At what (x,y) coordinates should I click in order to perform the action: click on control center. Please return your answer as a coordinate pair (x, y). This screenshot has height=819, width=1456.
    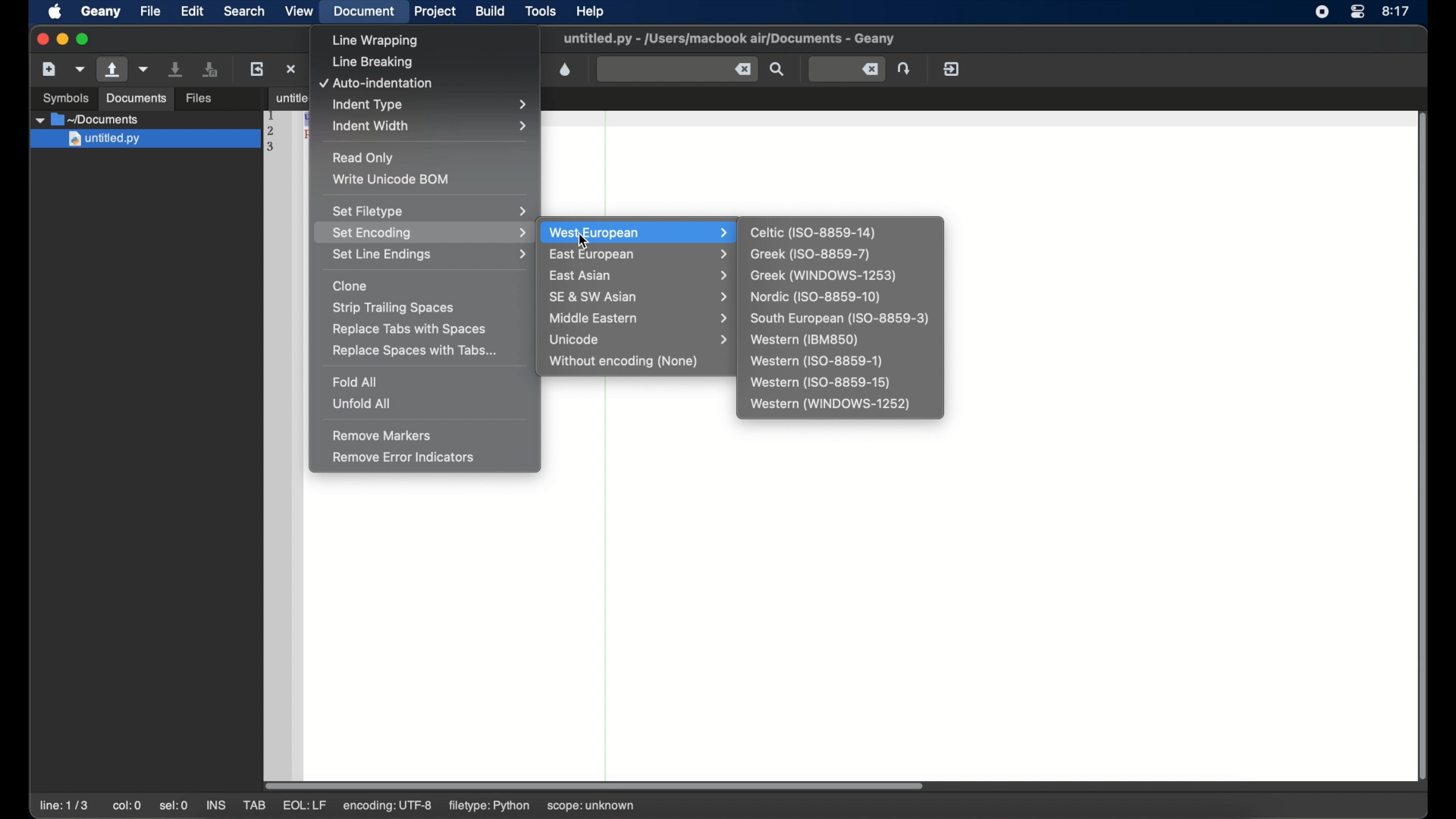
    Looking at the image, I should click on (1357, 12).